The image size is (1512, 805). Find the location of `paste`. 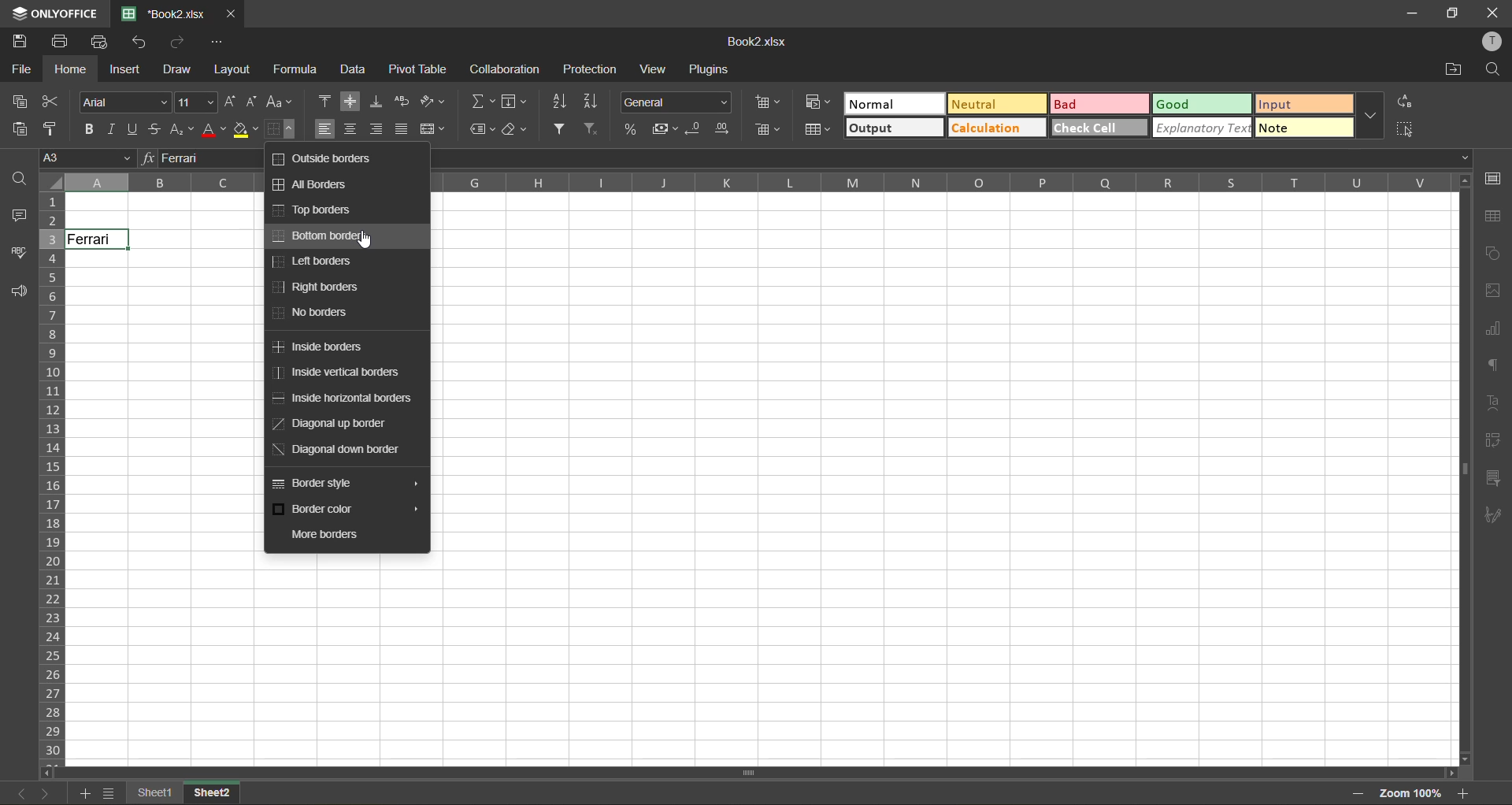

paste is located at coordinates (20, 132).